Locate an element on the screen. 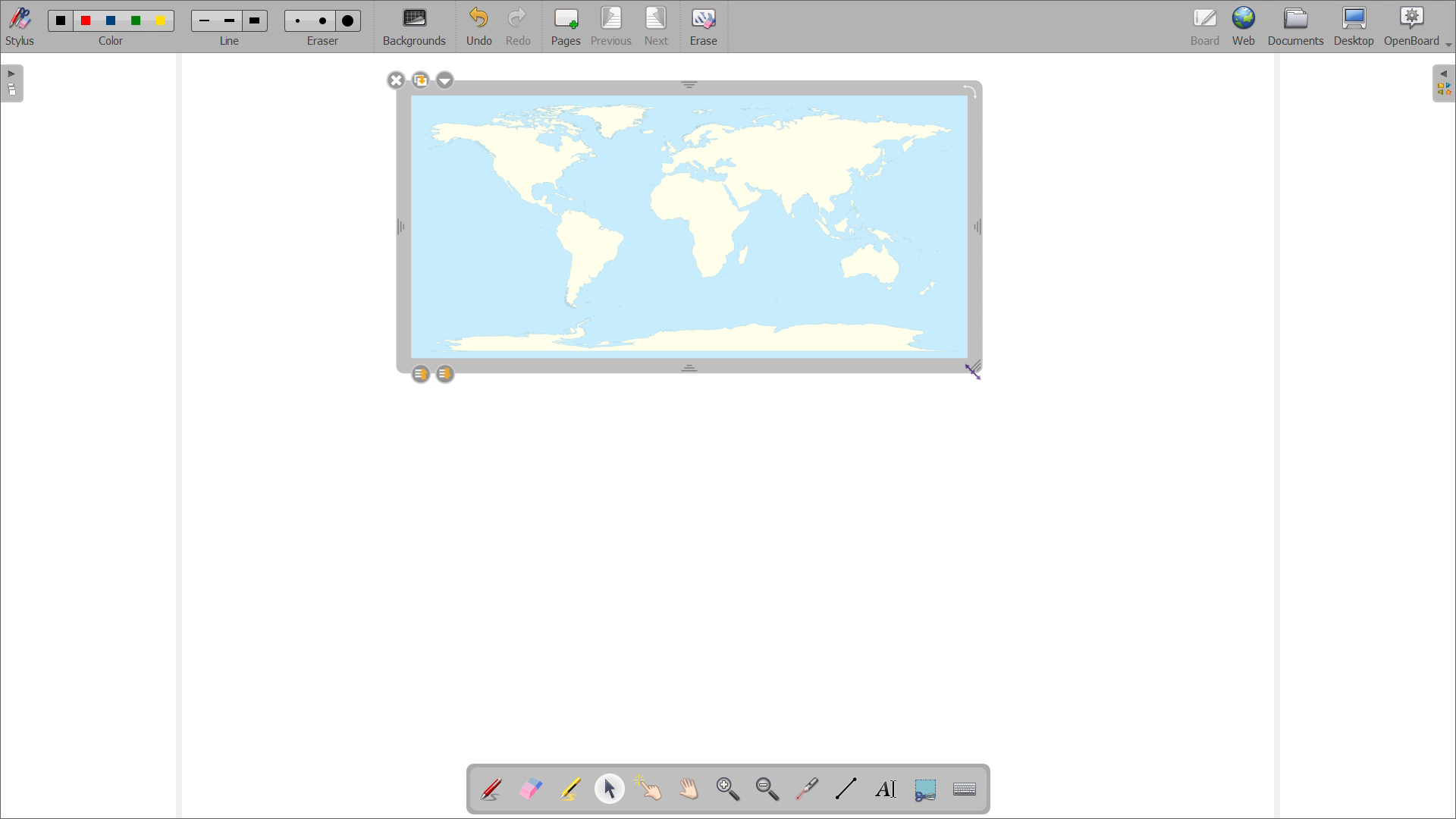  board is located at coordinates (1205, 27).